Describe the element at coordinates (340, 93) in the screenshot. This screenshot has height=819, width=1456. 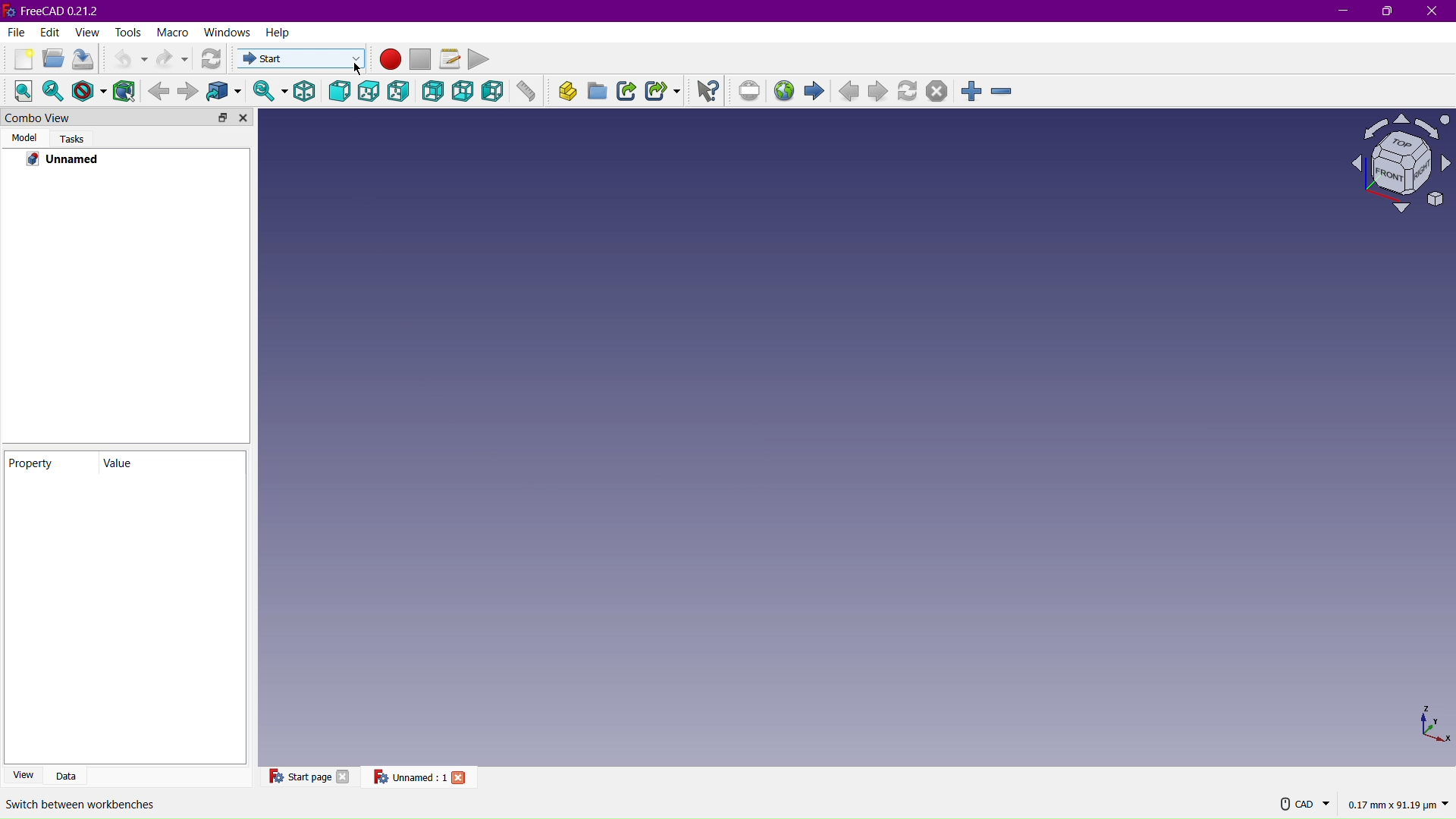
I see `Front` at that location.